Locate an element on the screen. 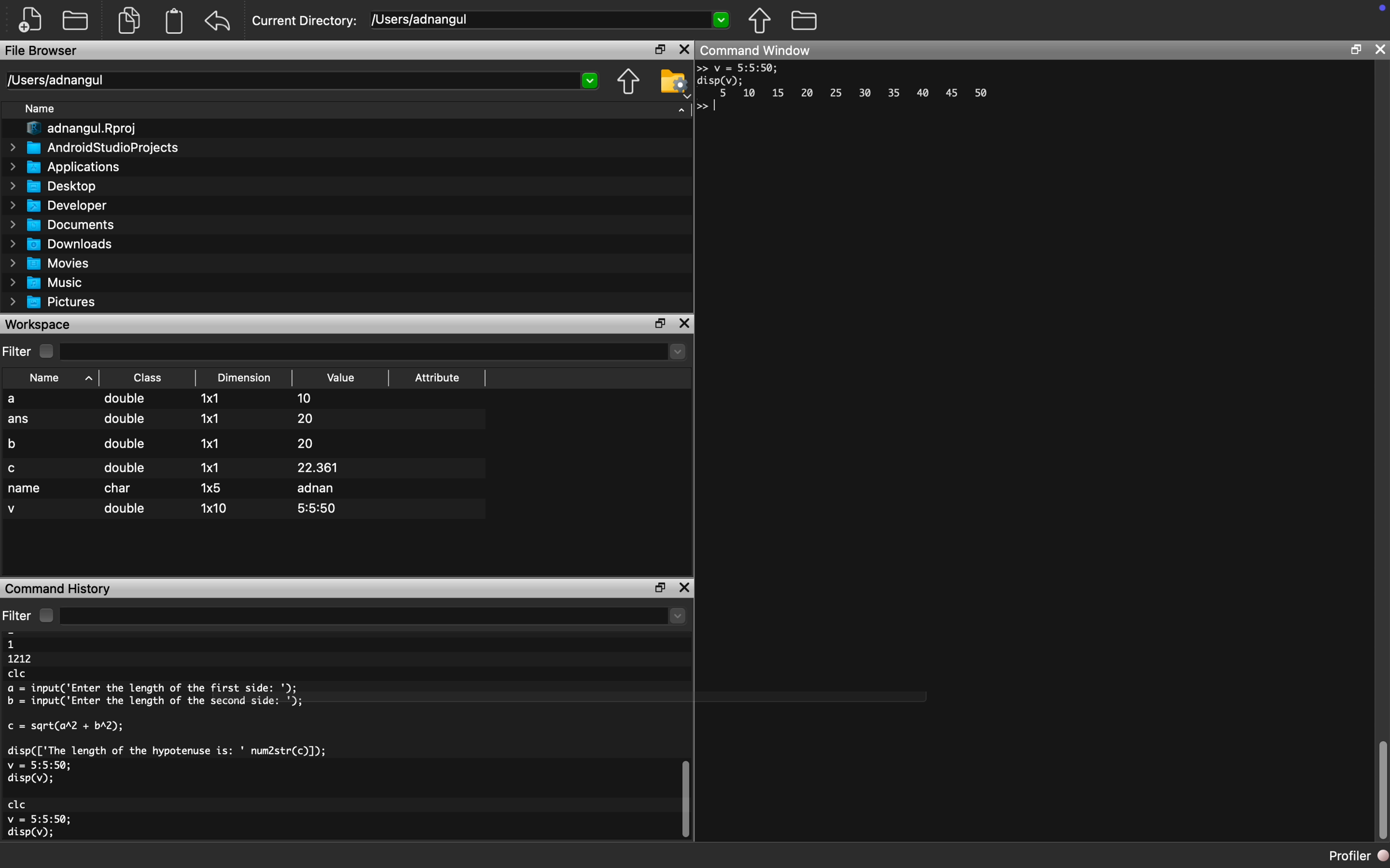 Image resolution: width=1390 pixels, height=868 pixels. New file is located at coordinates (31, 18).